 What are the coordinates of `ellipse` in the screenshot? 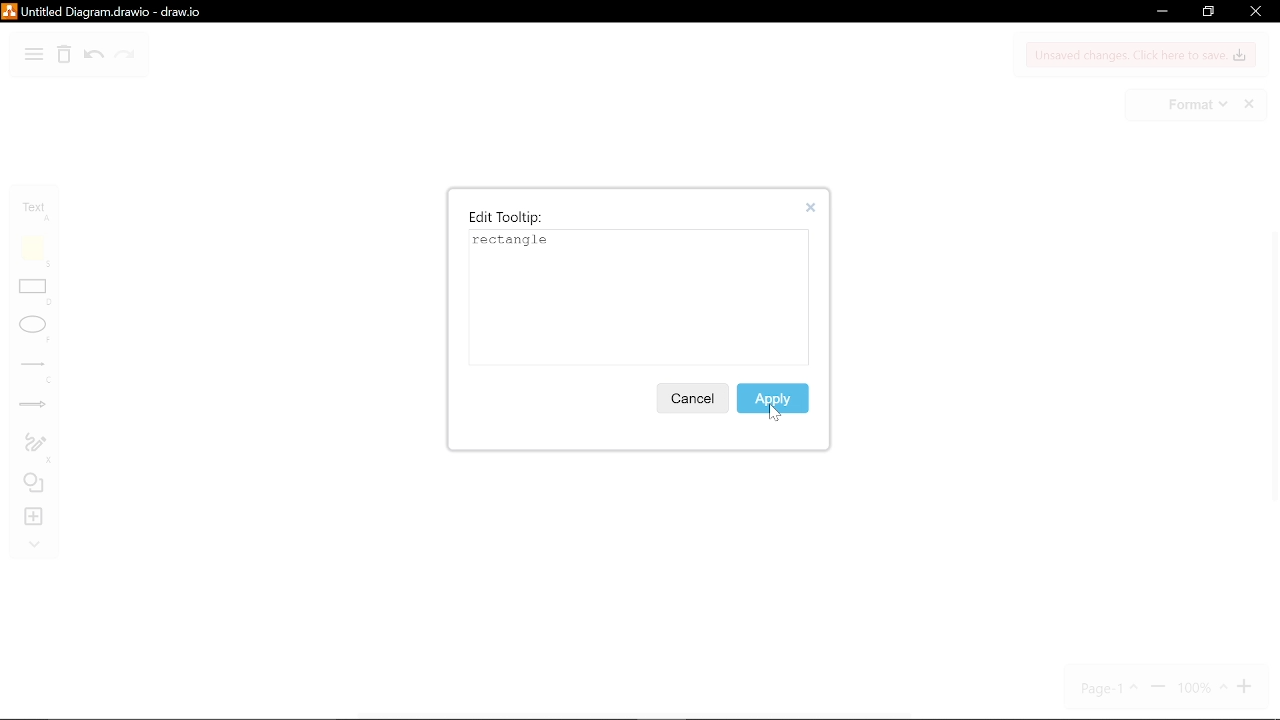 It's located at (35, 330).